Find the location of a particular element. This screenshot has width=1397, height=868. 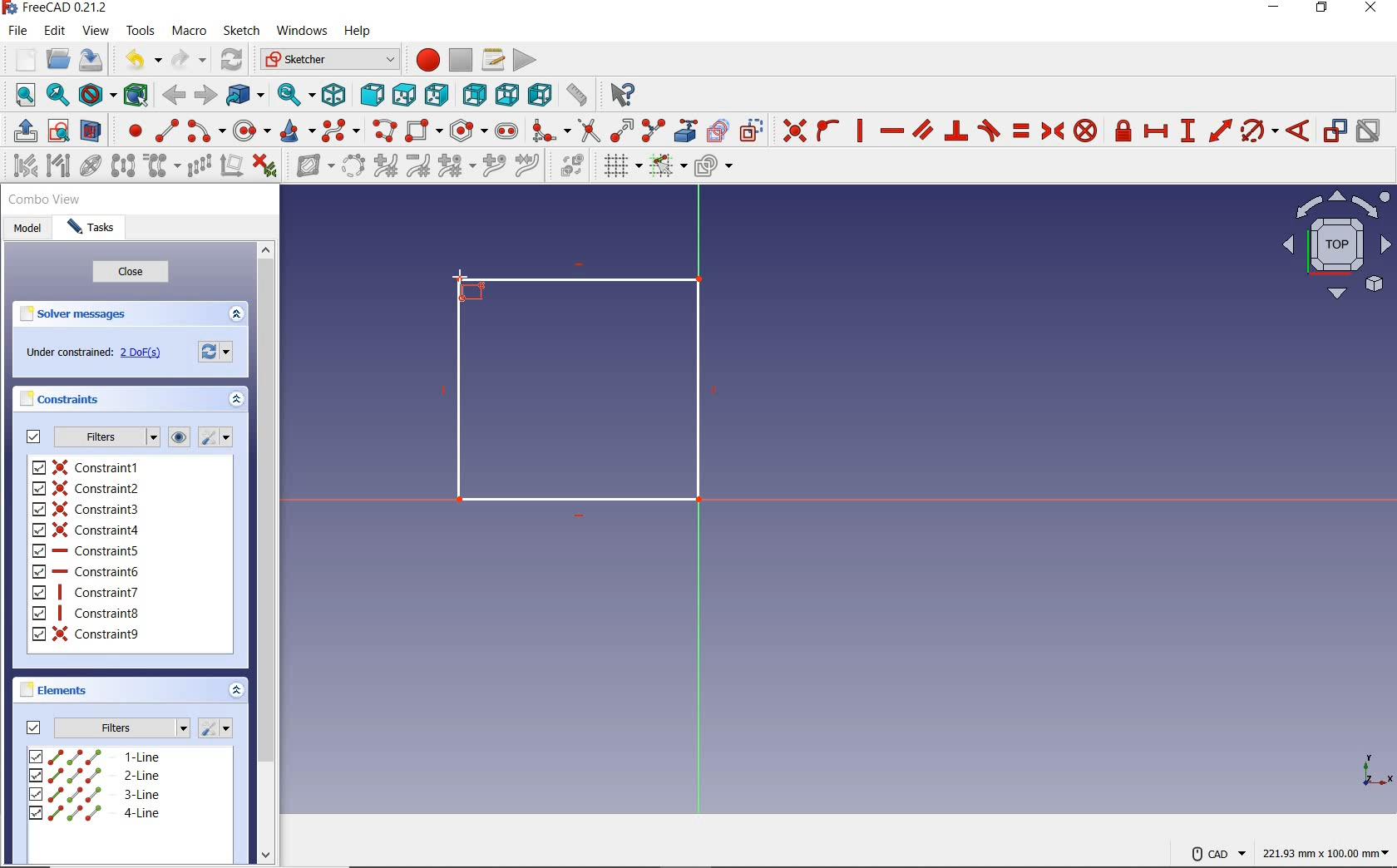

file is located at coordinates (20, 32).